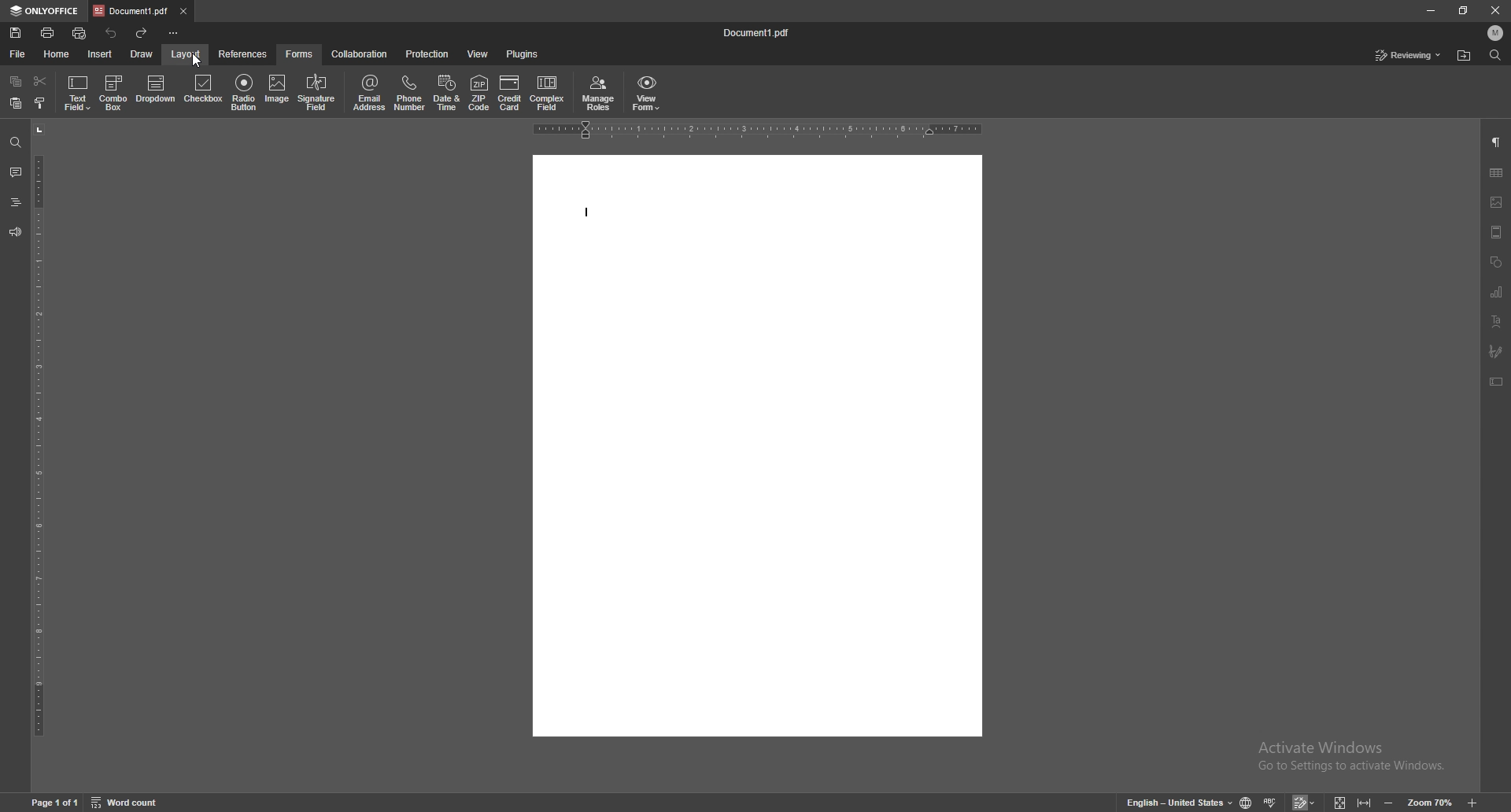  I want to click on feedback, so click(15, 233).